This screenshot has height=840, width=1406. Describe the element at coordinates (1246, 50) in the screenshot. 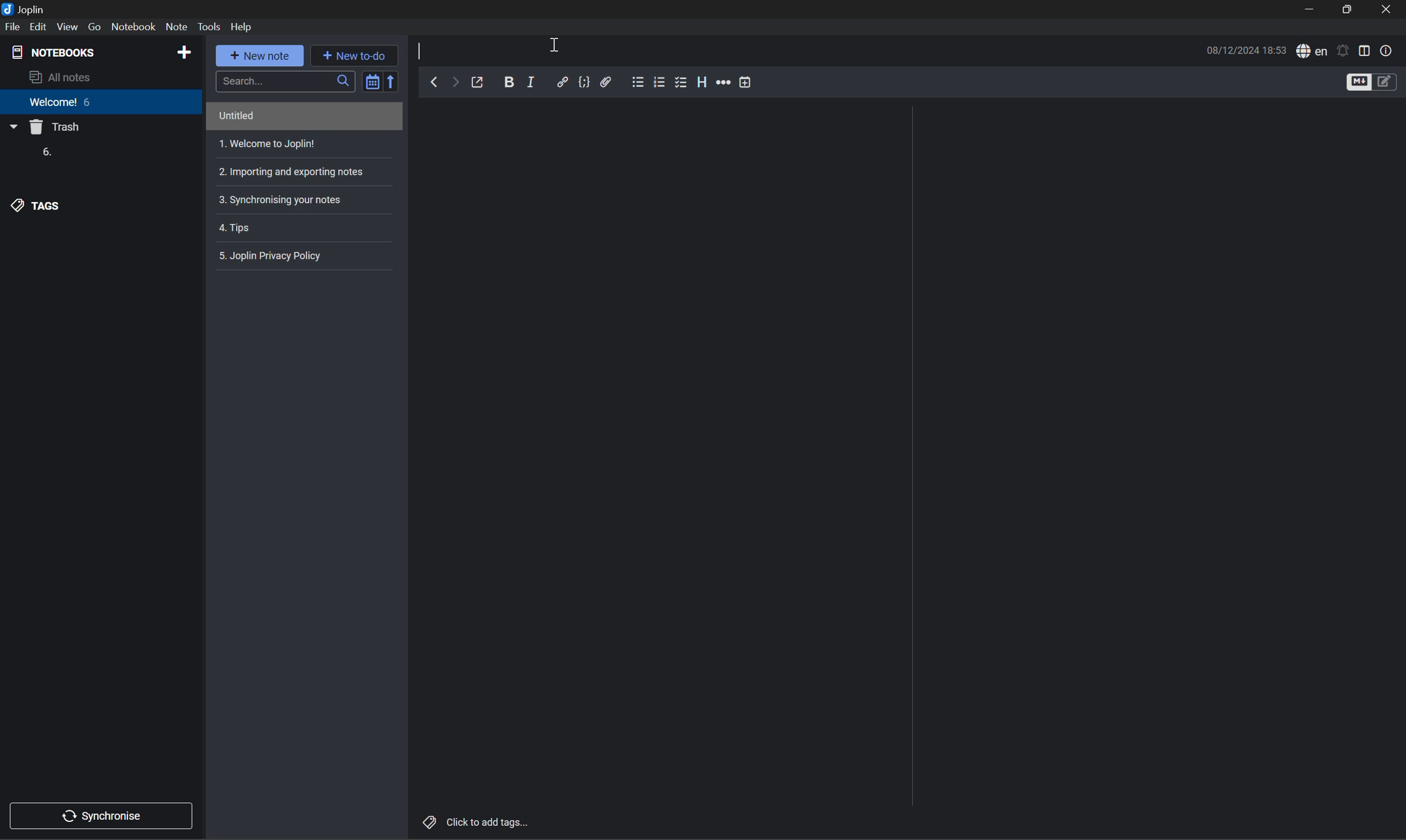

I see `08/12/2024 18:53` at that location.